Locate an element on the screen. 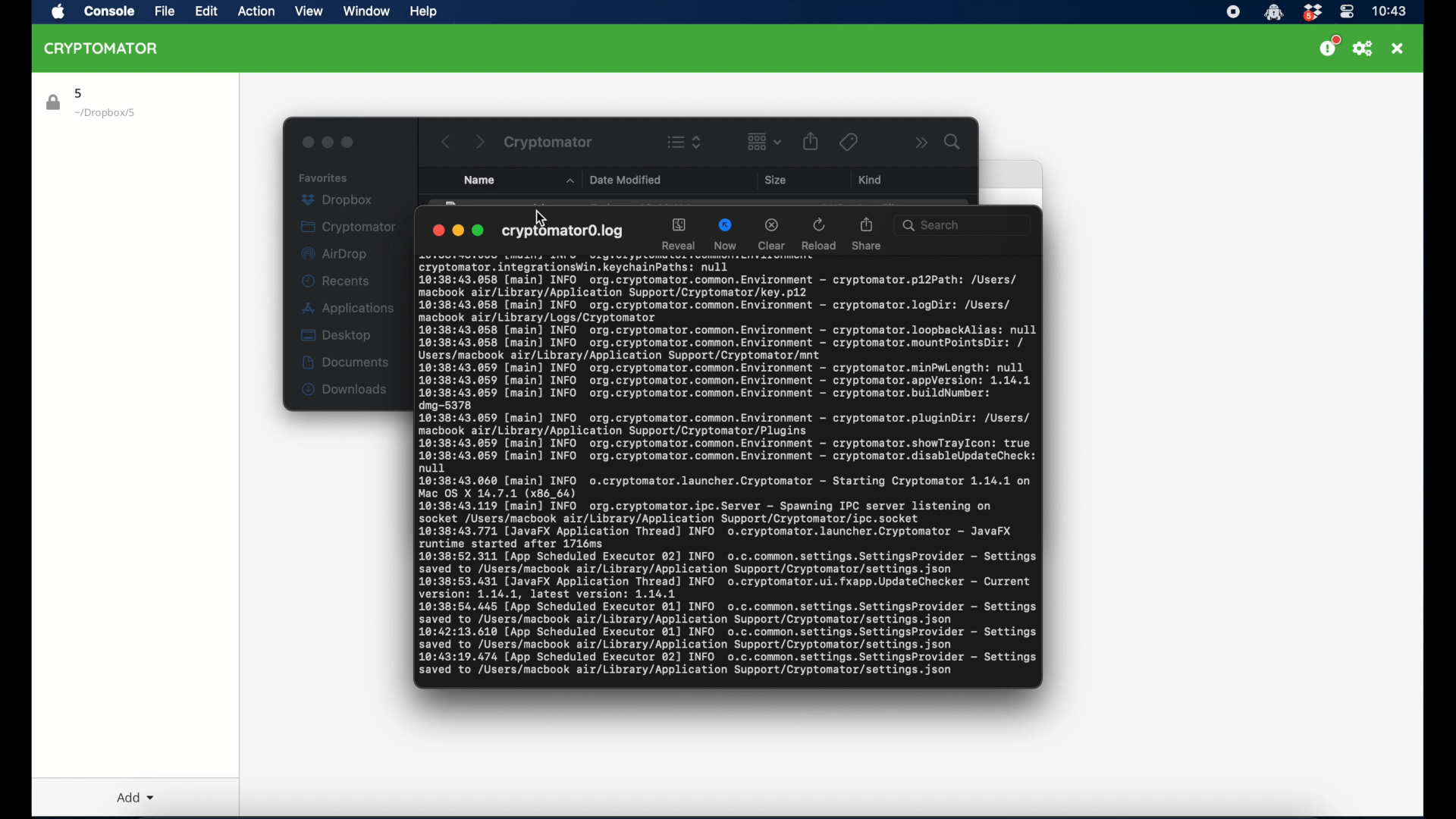 The height and width of the screenshot is (819, 1456). cryptomator is located at coordinates (350, 226).